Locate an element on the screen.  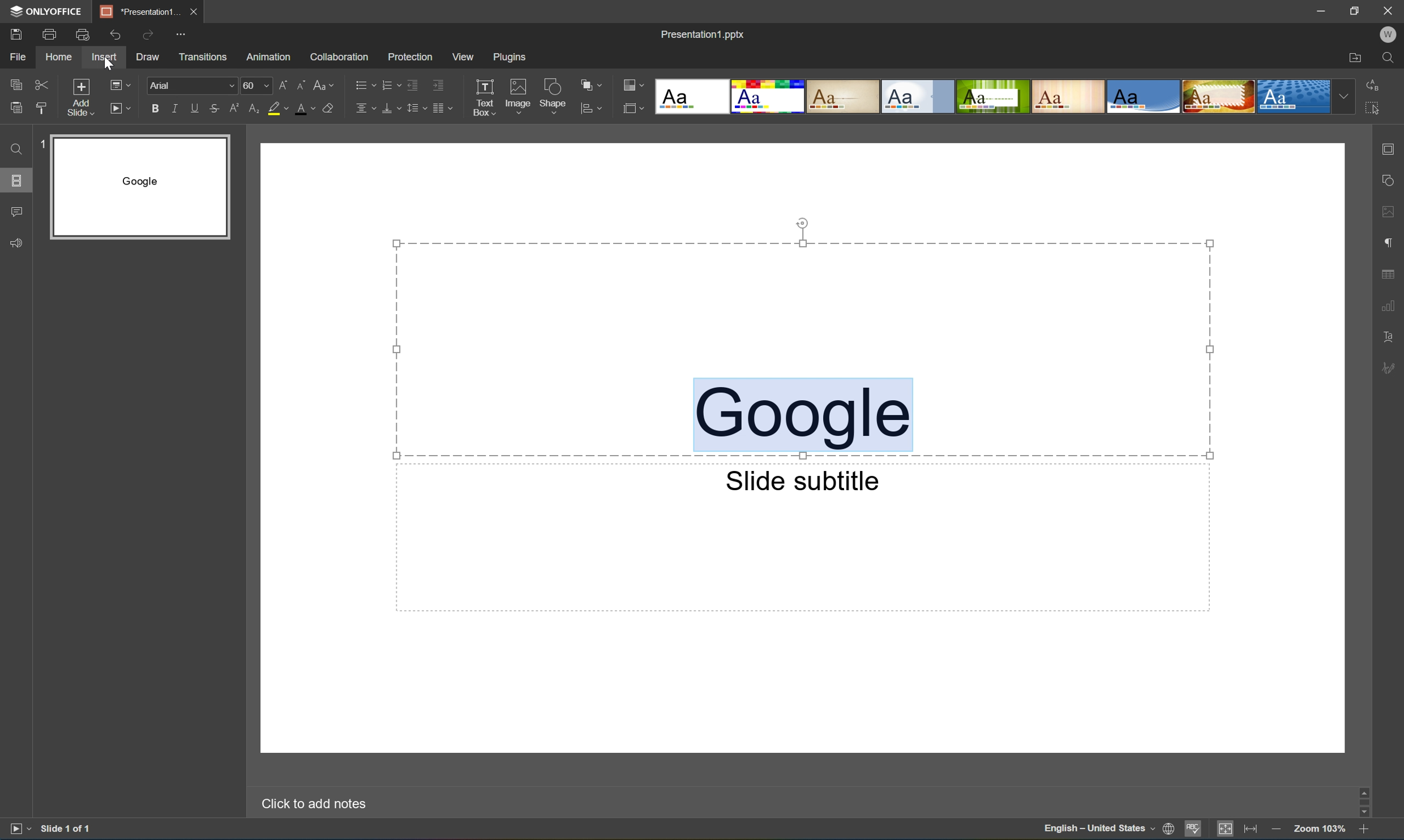
Signature settings is located at coordinates (1388, 368).